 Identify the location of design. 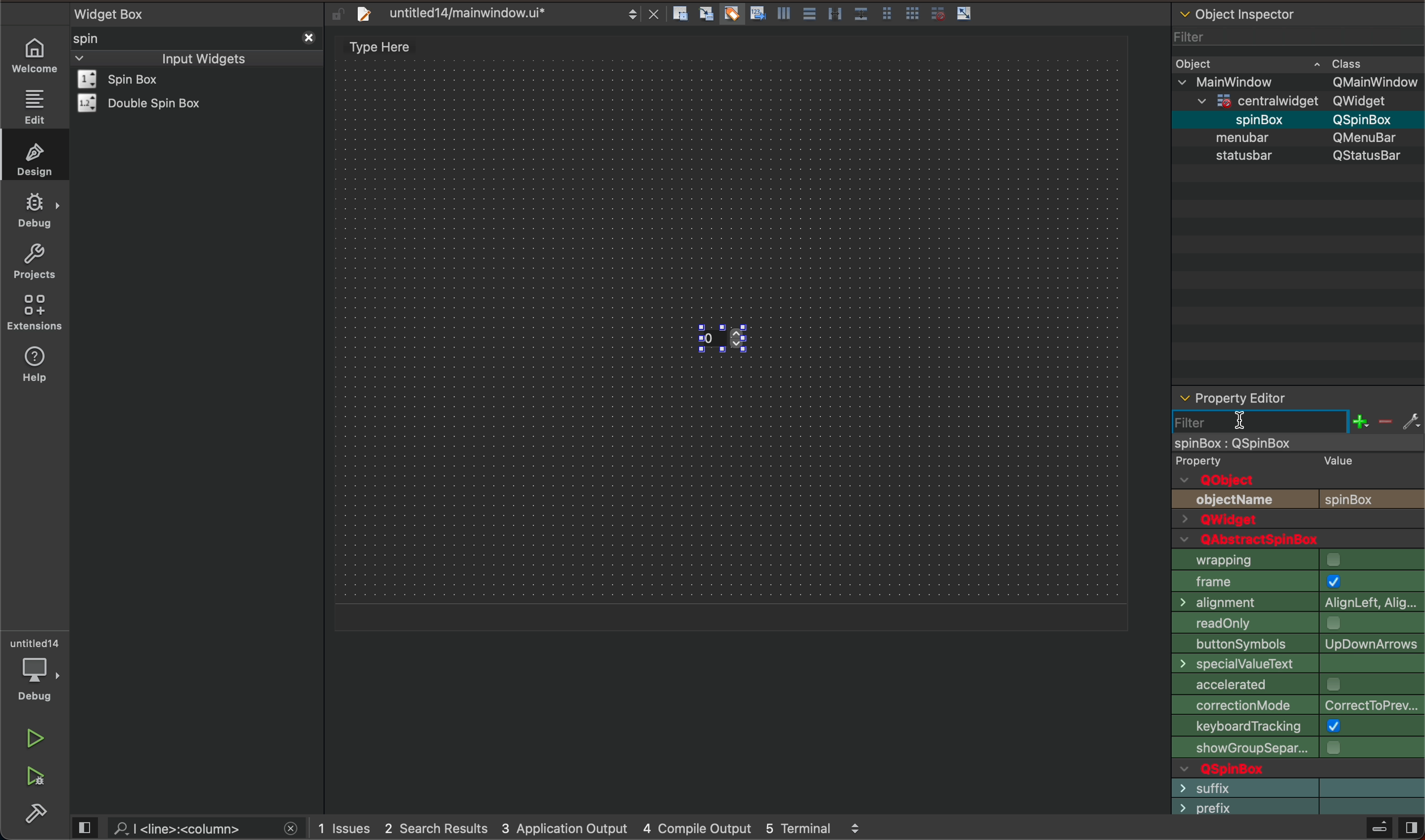
(32, 157).